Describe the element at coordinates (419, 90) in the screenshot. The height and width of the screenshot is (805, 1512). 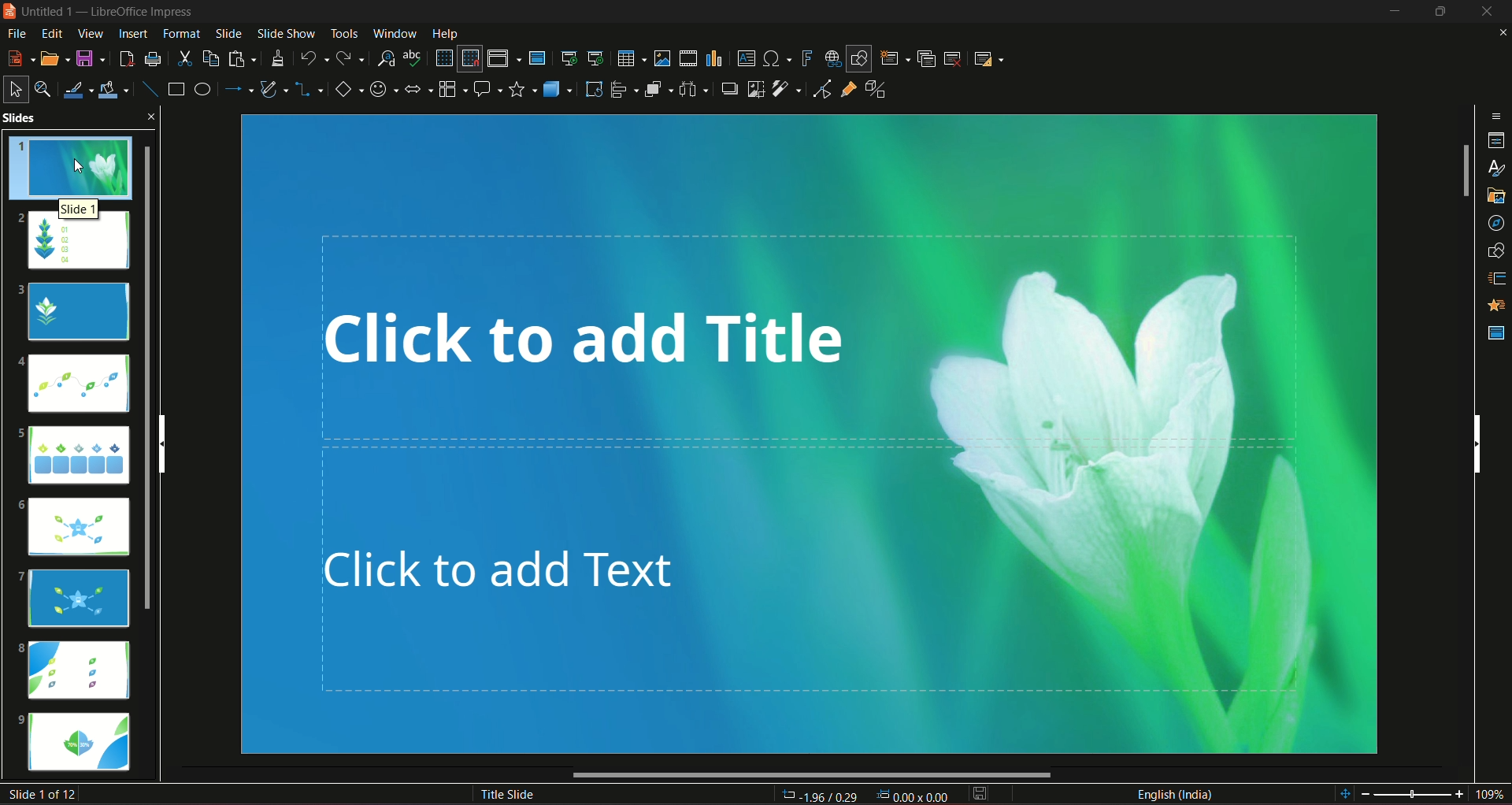
I see `block arrows` at that location.